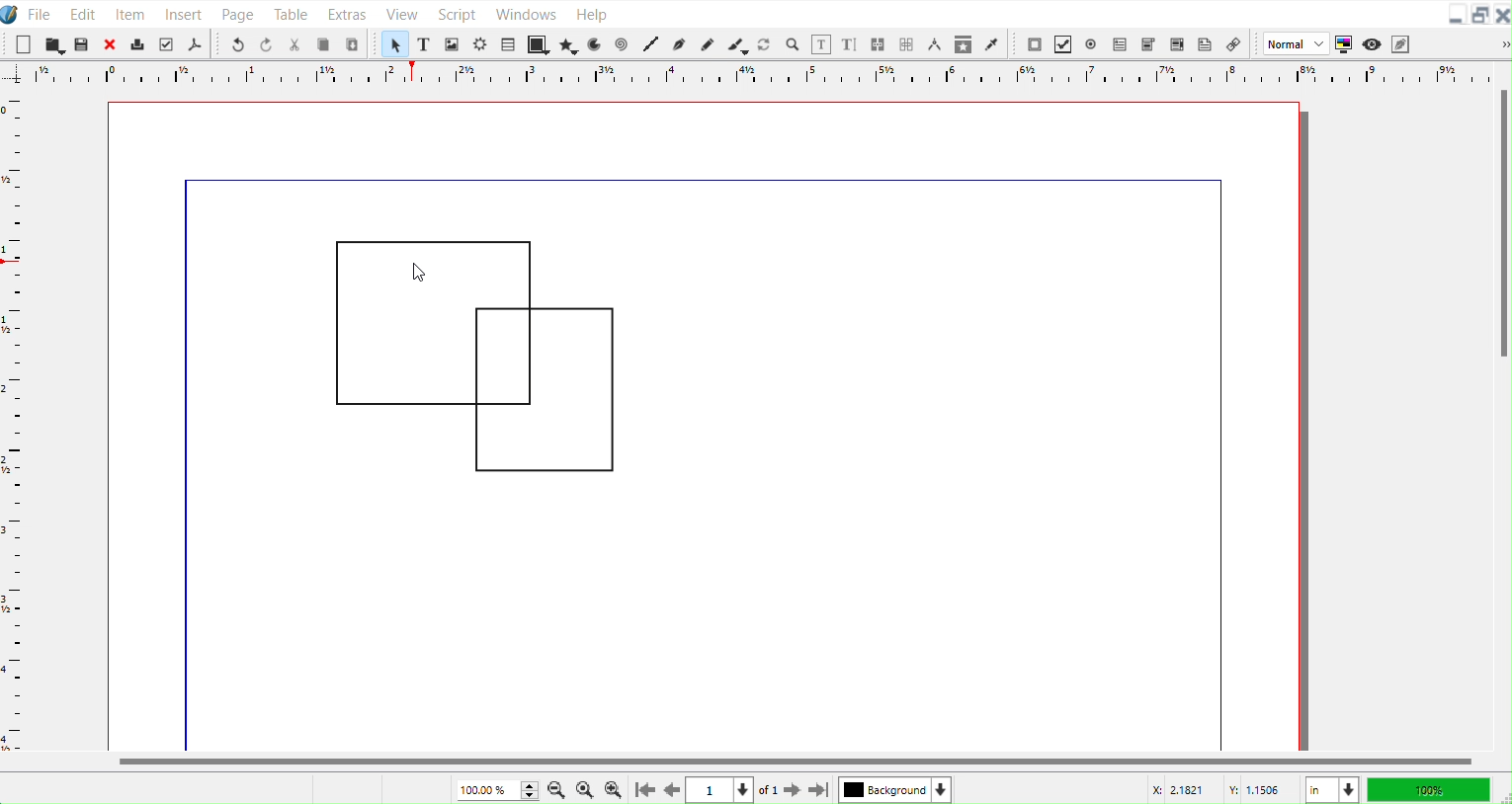  I want to click on New, so click(23, 43).